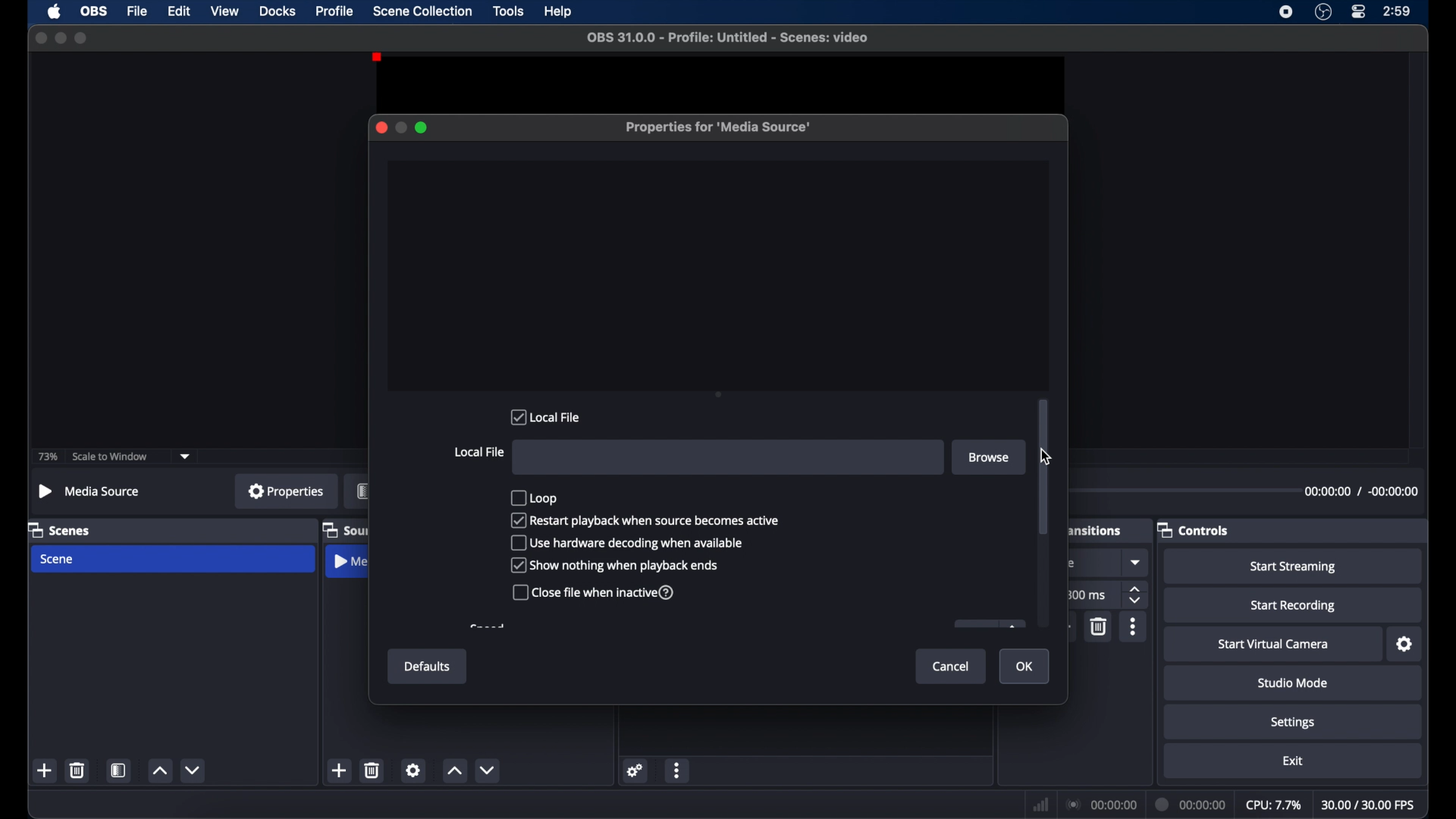  Describe the element at coordinates (717, 127) in the screenshot. I see `properties for media source` at that location.